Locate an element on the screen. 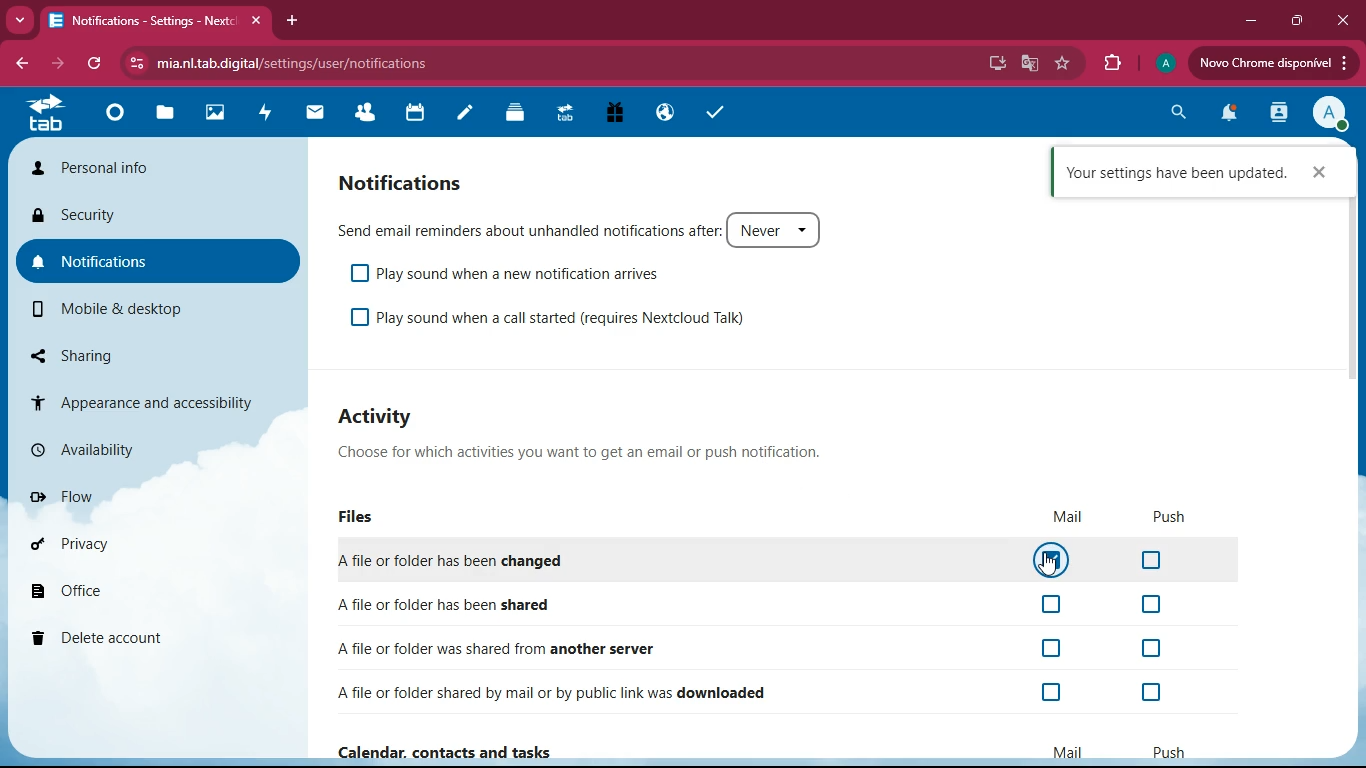 The height and width of the screenshot is (768, 1366). privacy is located at coordinates (119, 544).